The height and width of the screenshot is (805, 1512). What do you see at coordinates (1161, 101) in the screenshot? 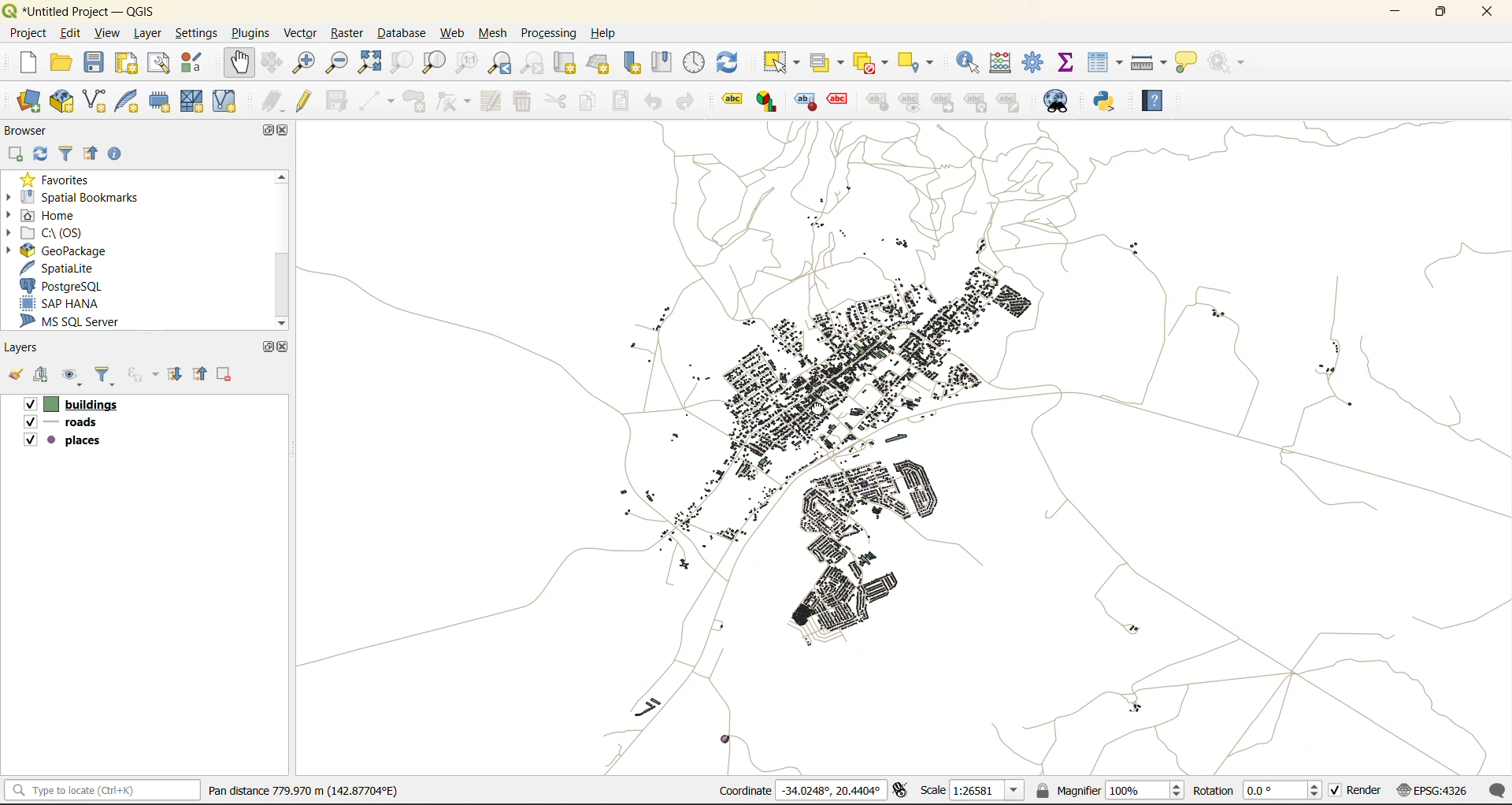
I see `help` at bounding box center [1161, 101].